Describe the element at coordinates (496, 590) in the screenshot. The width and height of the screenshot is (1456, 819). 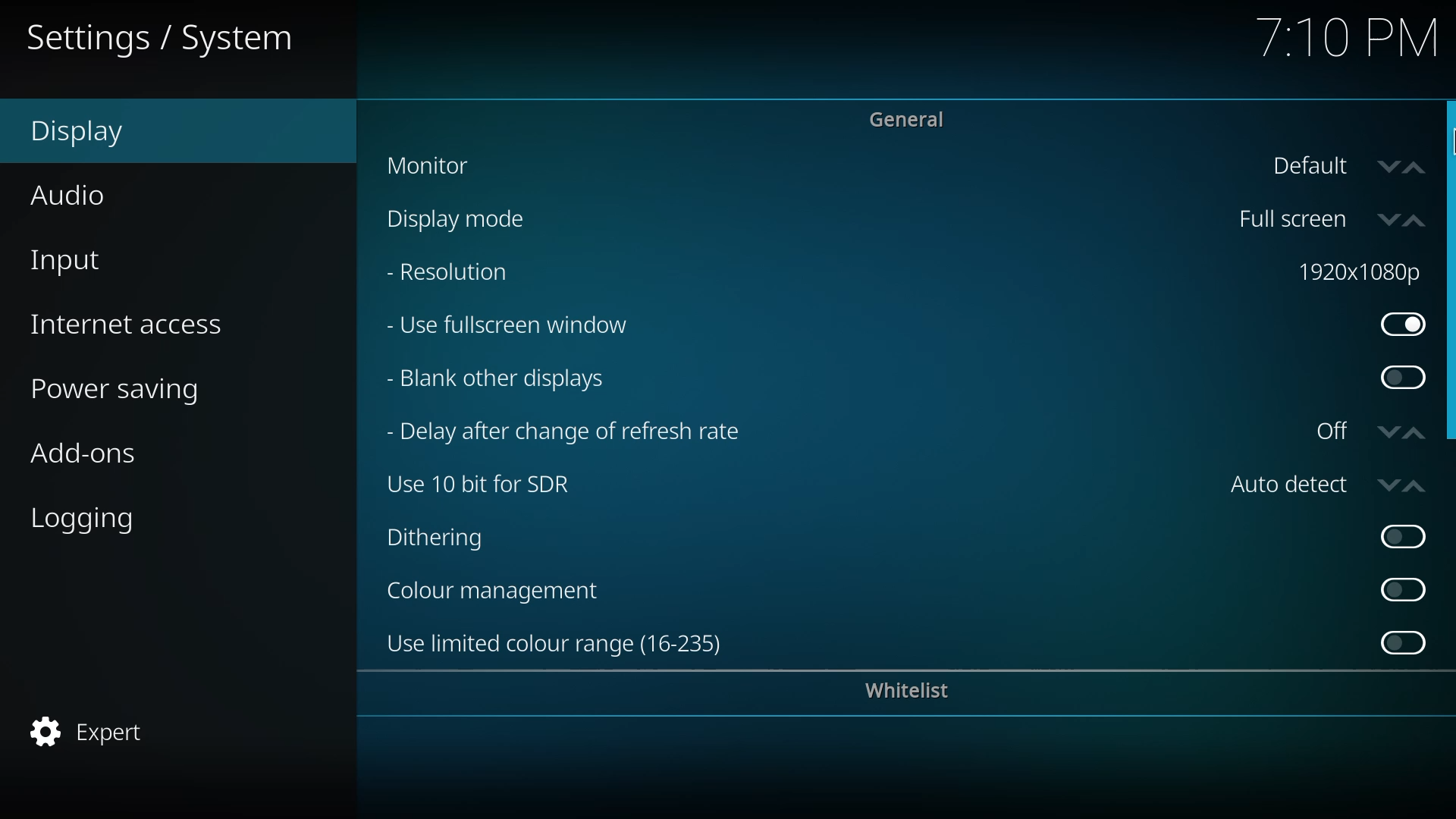
I see `color management` at that location.